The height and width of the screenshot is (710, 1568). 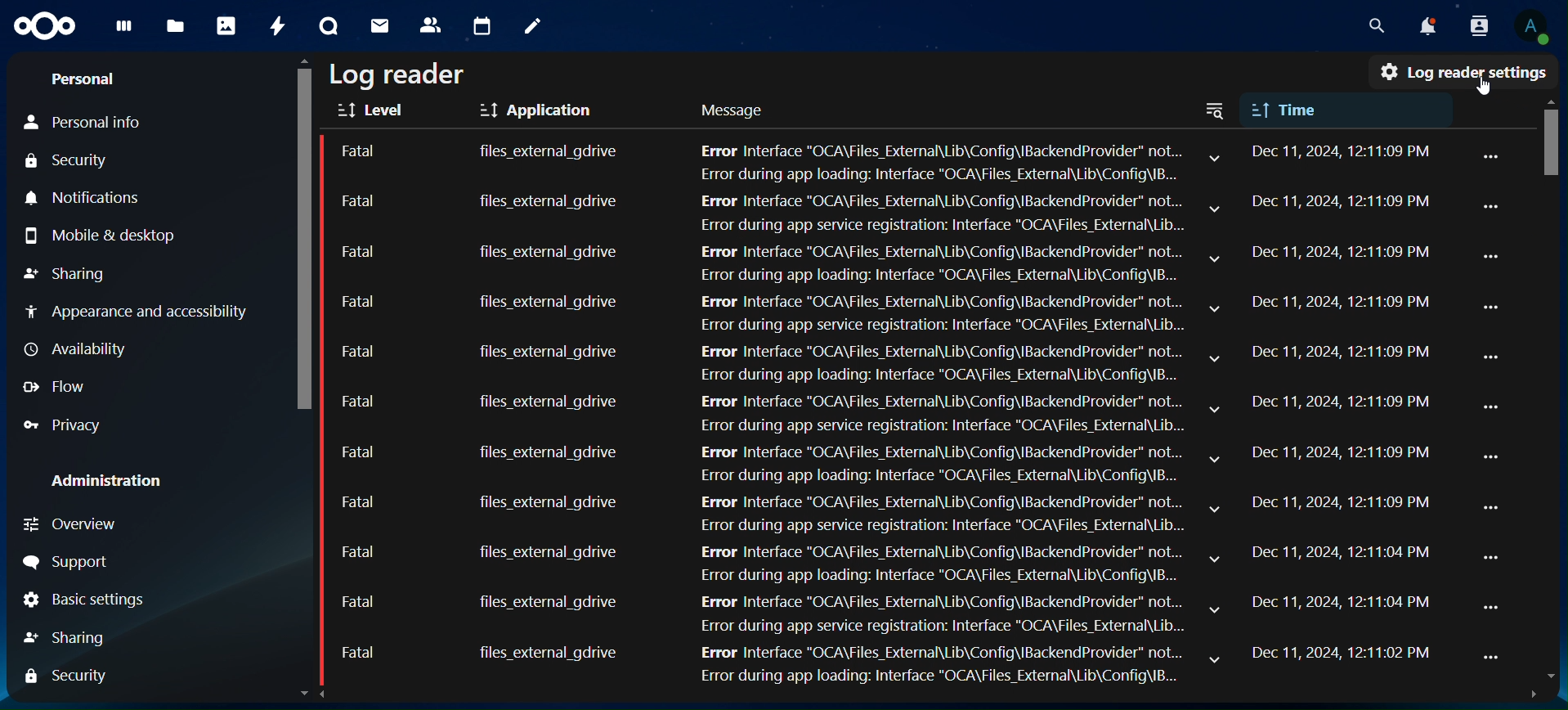 What do you see at coordinates (1463, 71) in the screenshot?
I see `log reader settings` at bounding box center [1463, 71].